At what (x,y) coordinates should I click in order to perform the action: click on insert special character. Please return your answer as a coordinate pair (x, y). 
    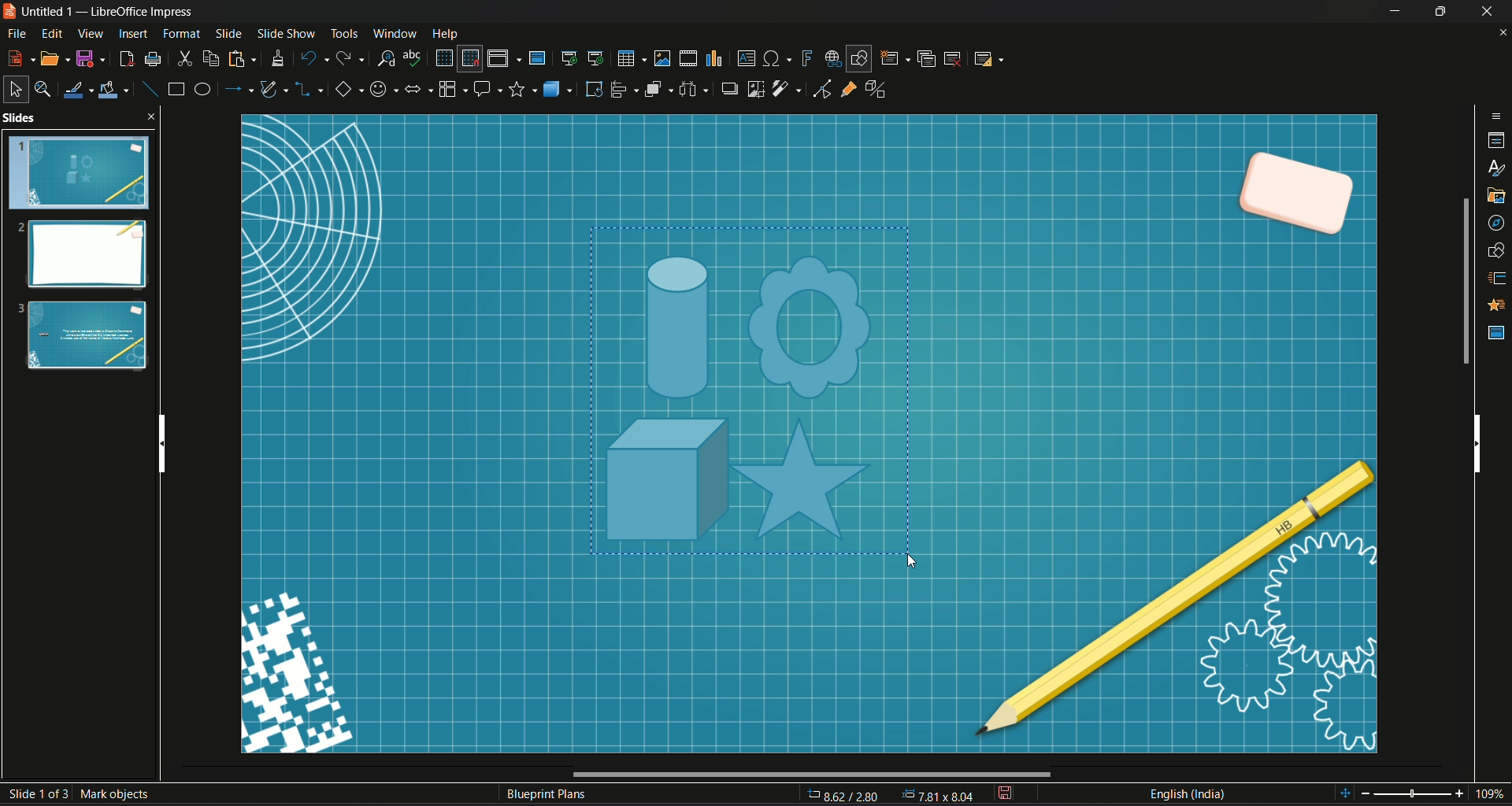
    Looking at the image, I should click on (778, 57).